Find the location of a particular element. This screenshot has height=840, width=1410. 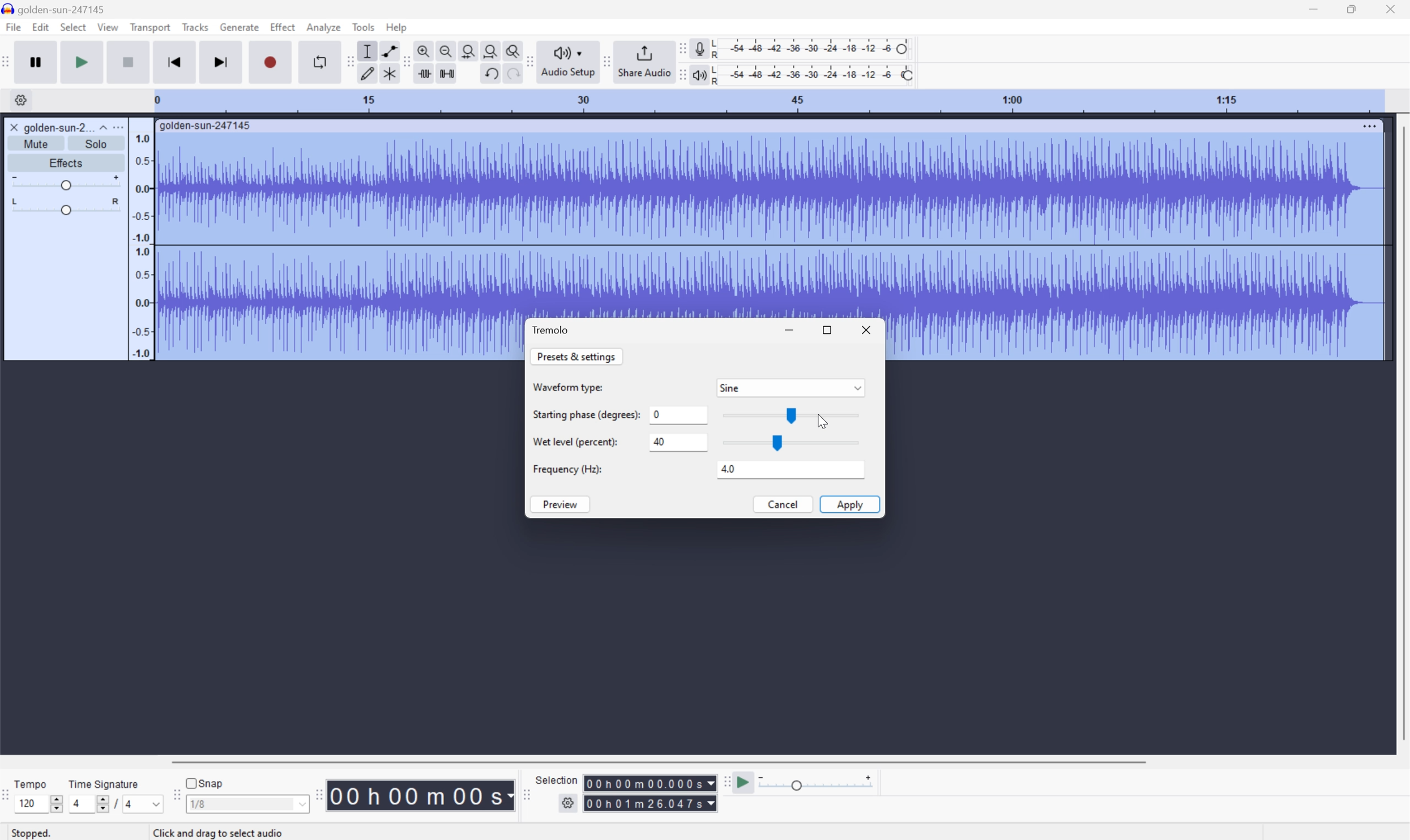

Audacity Snapping toolbar is located at coordinates (176, 796).